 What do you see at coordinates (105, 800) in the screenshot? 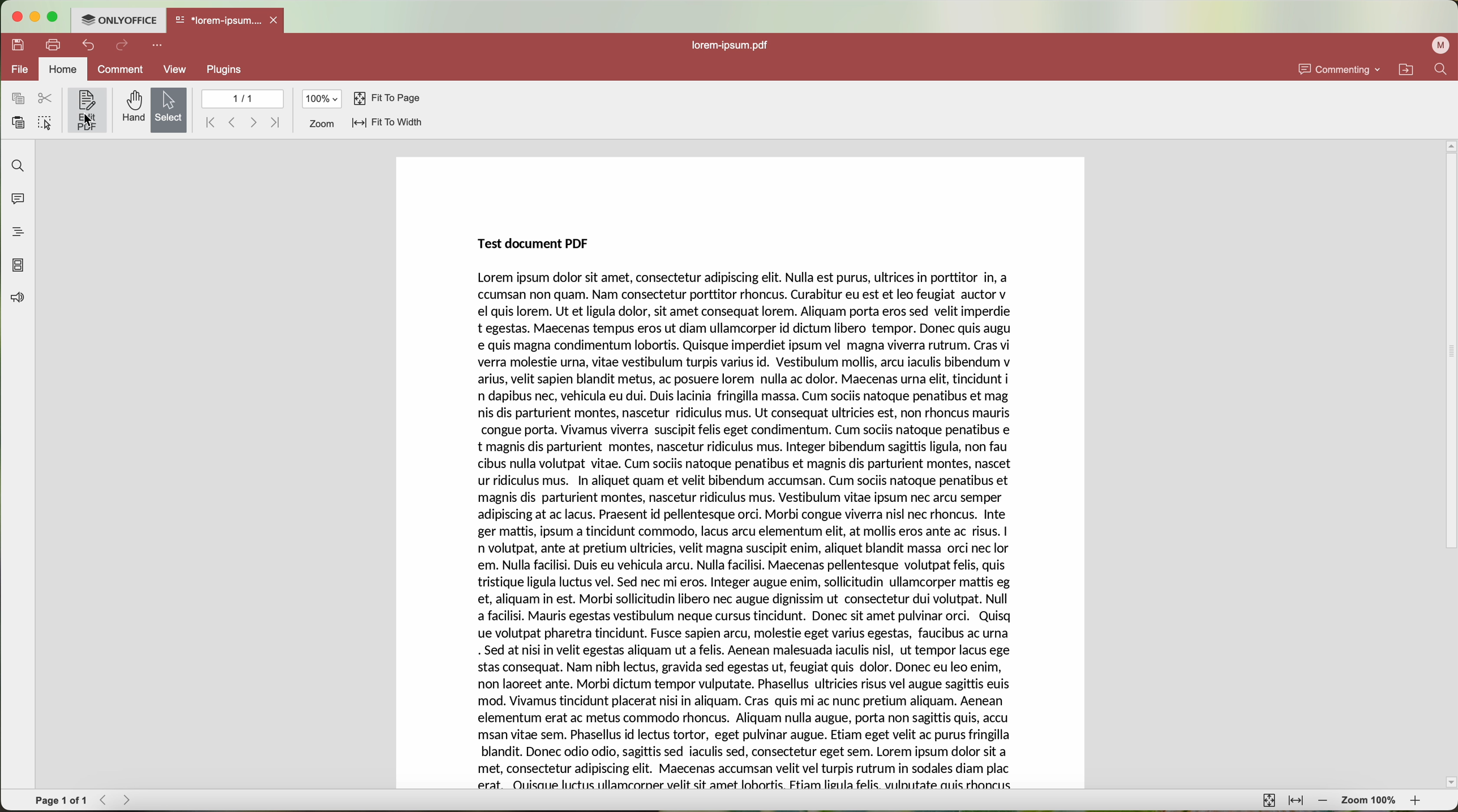
I see `Backward` at bounding box center [105, 800].